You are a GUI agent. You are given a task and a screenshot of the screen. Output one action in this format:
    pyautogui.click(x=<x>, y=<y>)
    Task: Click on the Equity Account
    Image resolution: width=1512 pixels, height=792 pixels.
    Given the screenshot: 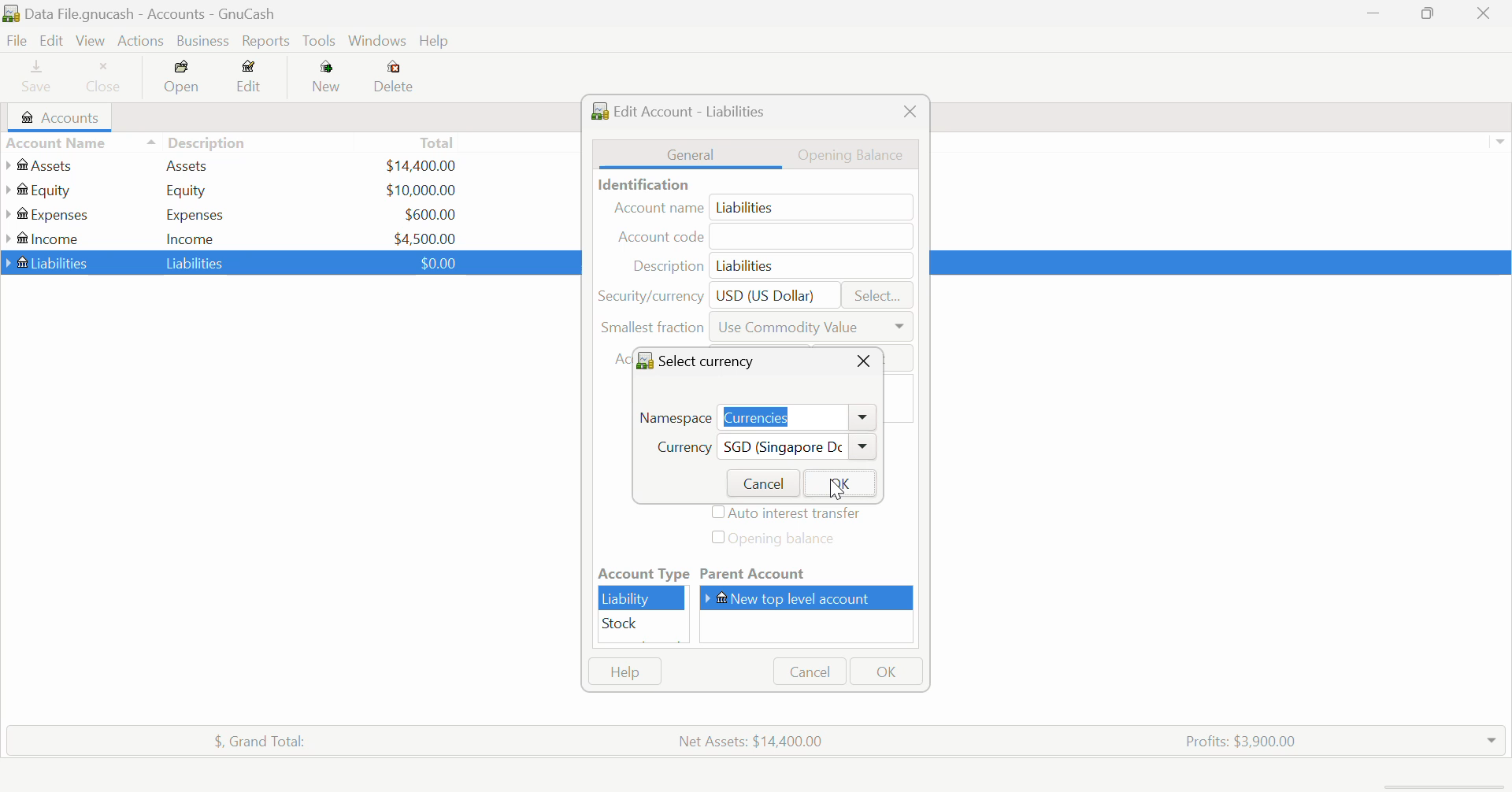 What is the action you would take?
    pyautogui.click(x=43, y=187)
    